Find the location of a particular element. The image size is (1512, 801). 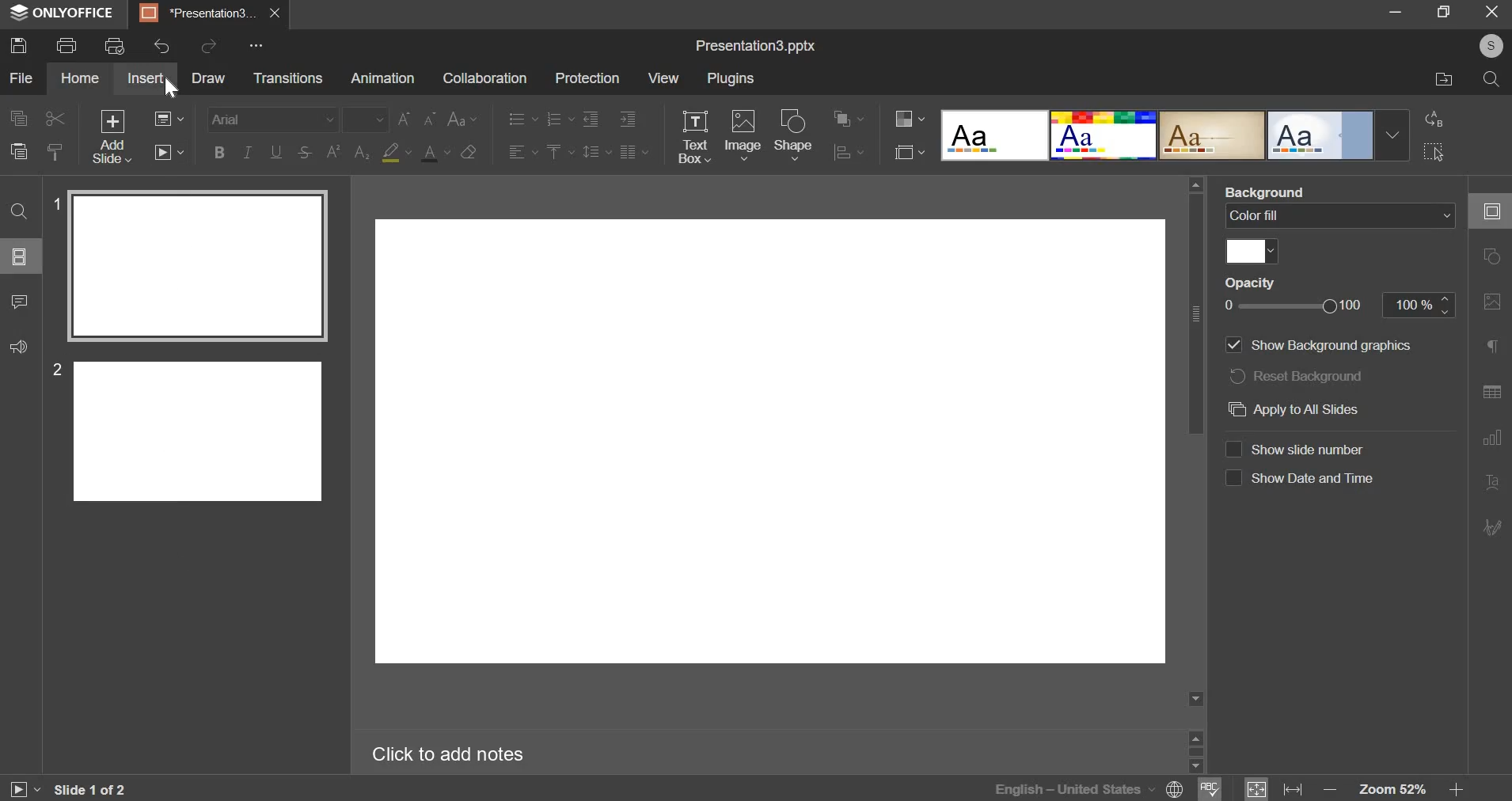

Signature settings is located at coordinates (1492, 526).